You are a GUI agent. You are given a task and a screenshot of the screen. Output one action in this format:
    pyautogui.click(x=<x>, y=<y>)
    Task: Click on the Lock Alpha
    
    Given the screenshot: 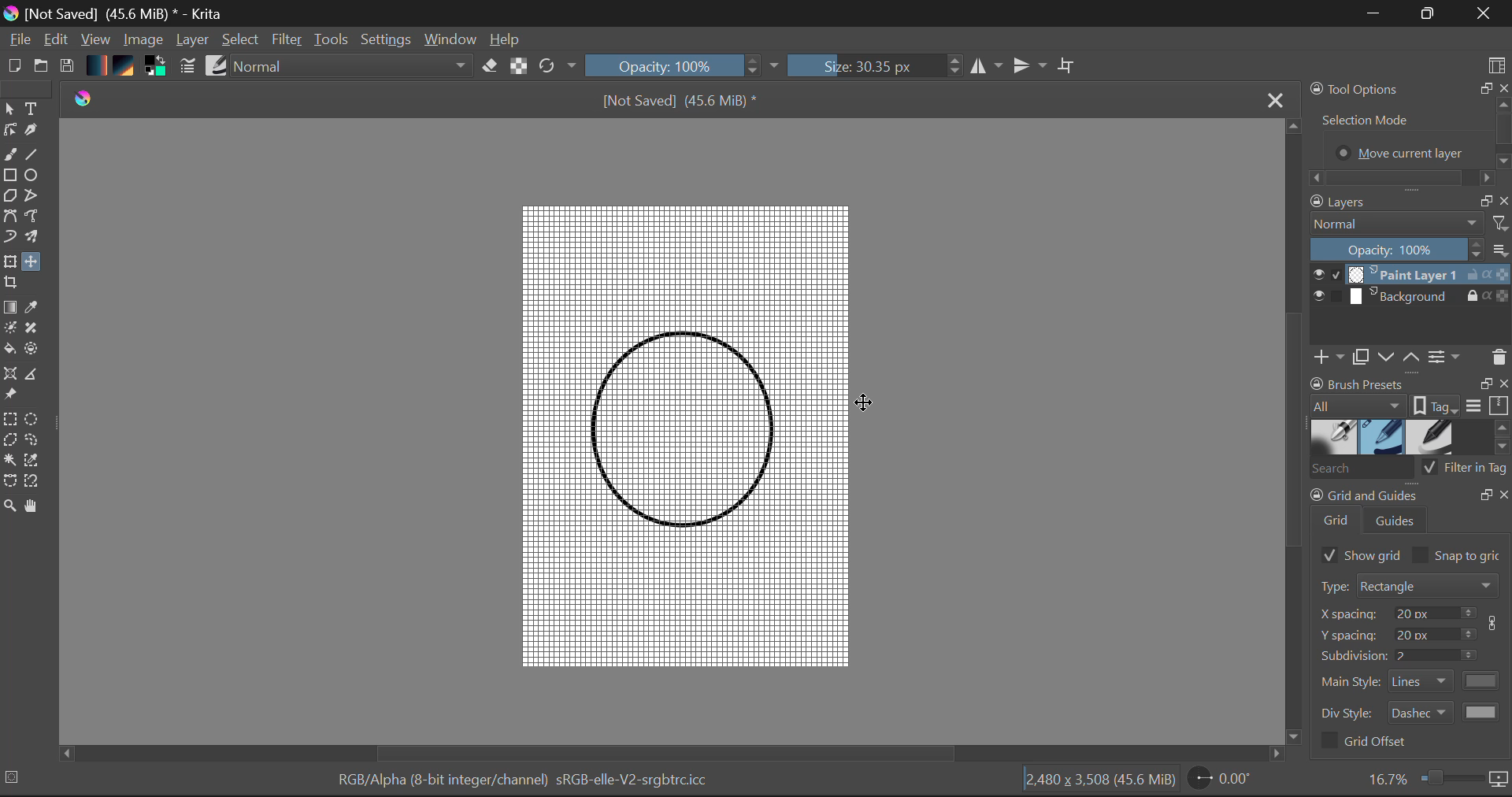 What is the action you would take?
    pyautogui.click(x=518, y=67)
    